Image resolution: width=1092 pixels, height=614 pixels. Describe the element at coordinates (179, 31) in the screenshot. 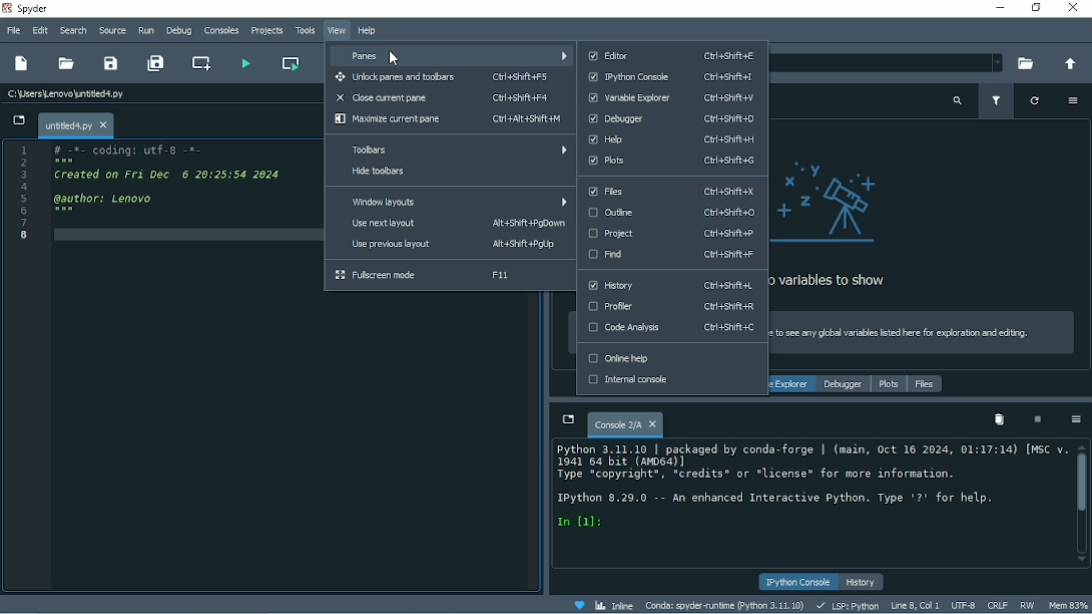

I see `Debug` at that location.